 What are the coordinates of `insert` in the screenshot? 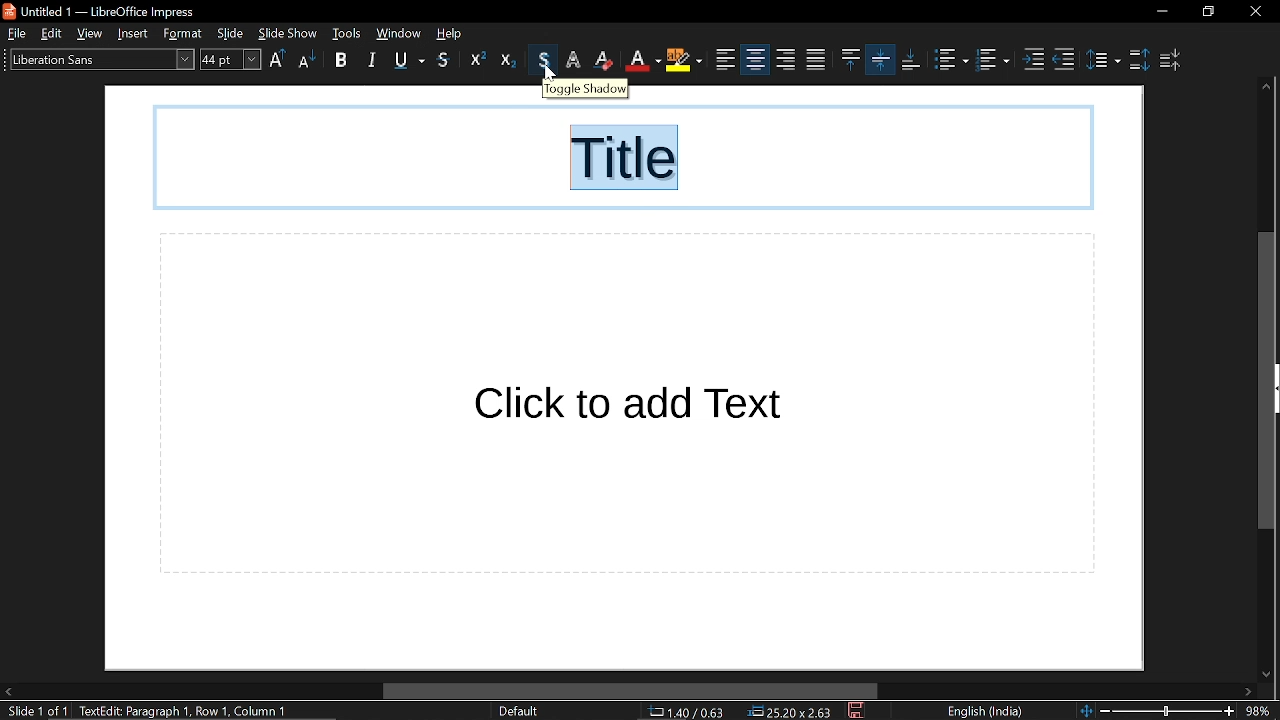 It's located at (137, 33).